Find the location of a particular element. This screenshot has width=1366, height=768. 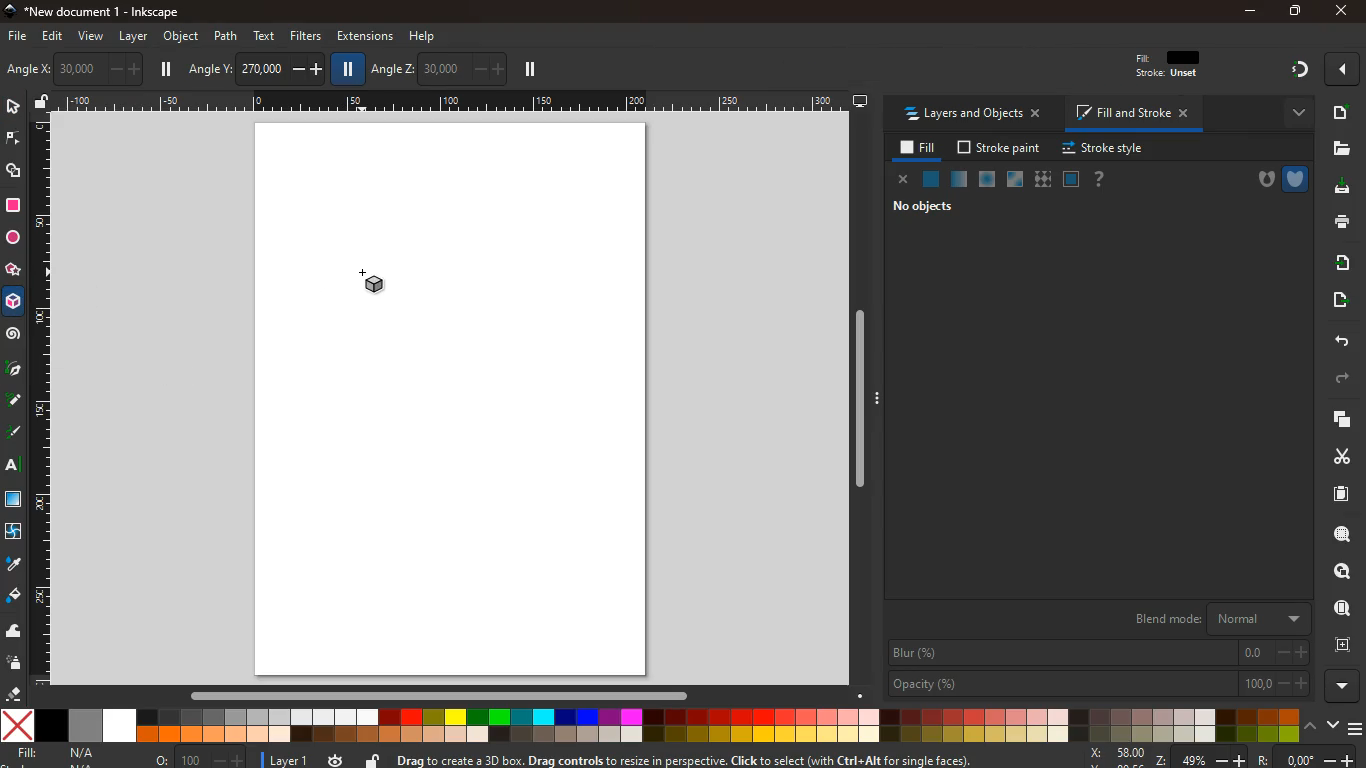

forward is located at coordinates (1348, 379).